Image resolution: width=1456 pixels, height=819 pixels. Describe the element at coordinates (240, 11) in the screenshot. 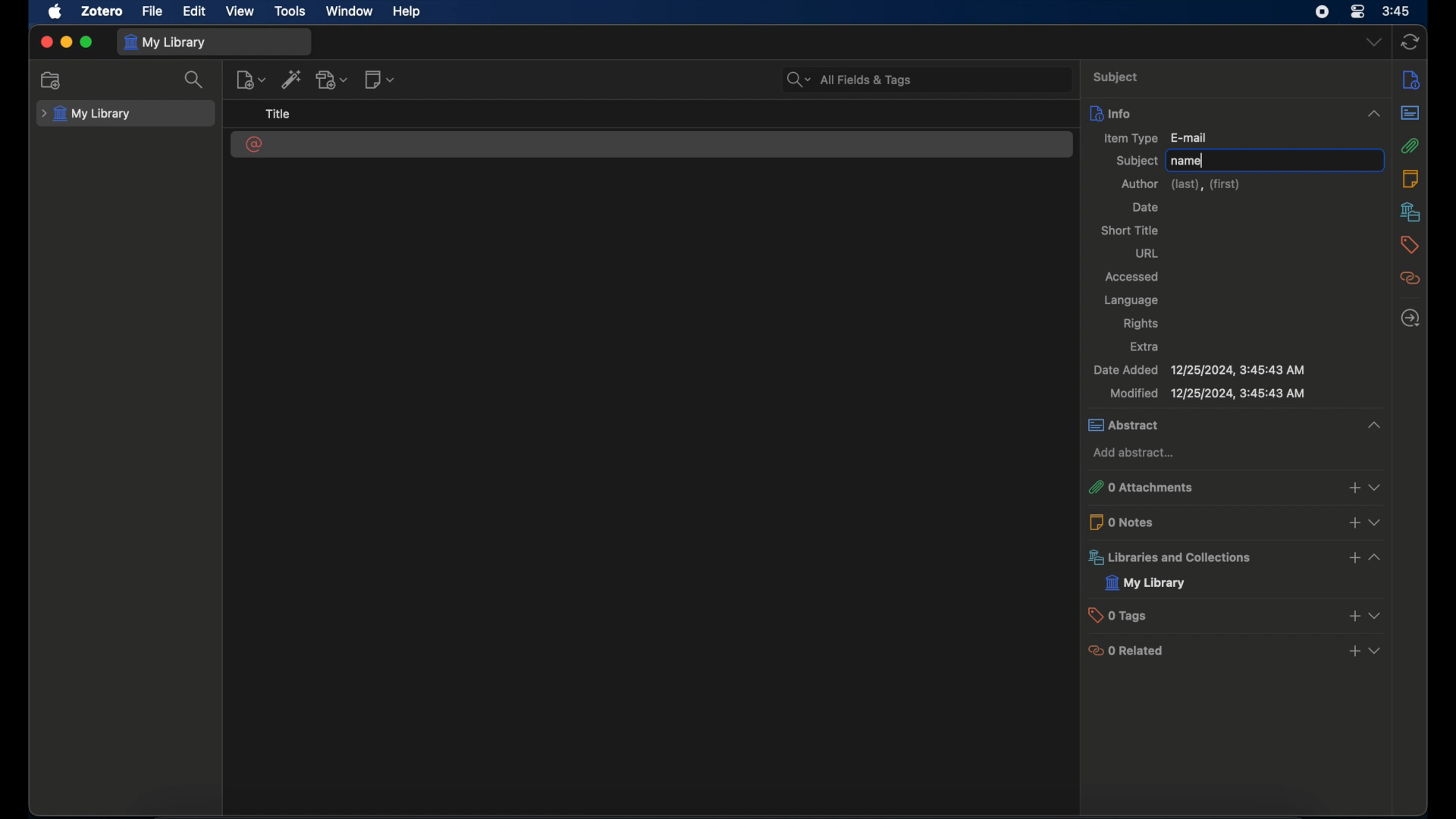

I see `view` at that location.